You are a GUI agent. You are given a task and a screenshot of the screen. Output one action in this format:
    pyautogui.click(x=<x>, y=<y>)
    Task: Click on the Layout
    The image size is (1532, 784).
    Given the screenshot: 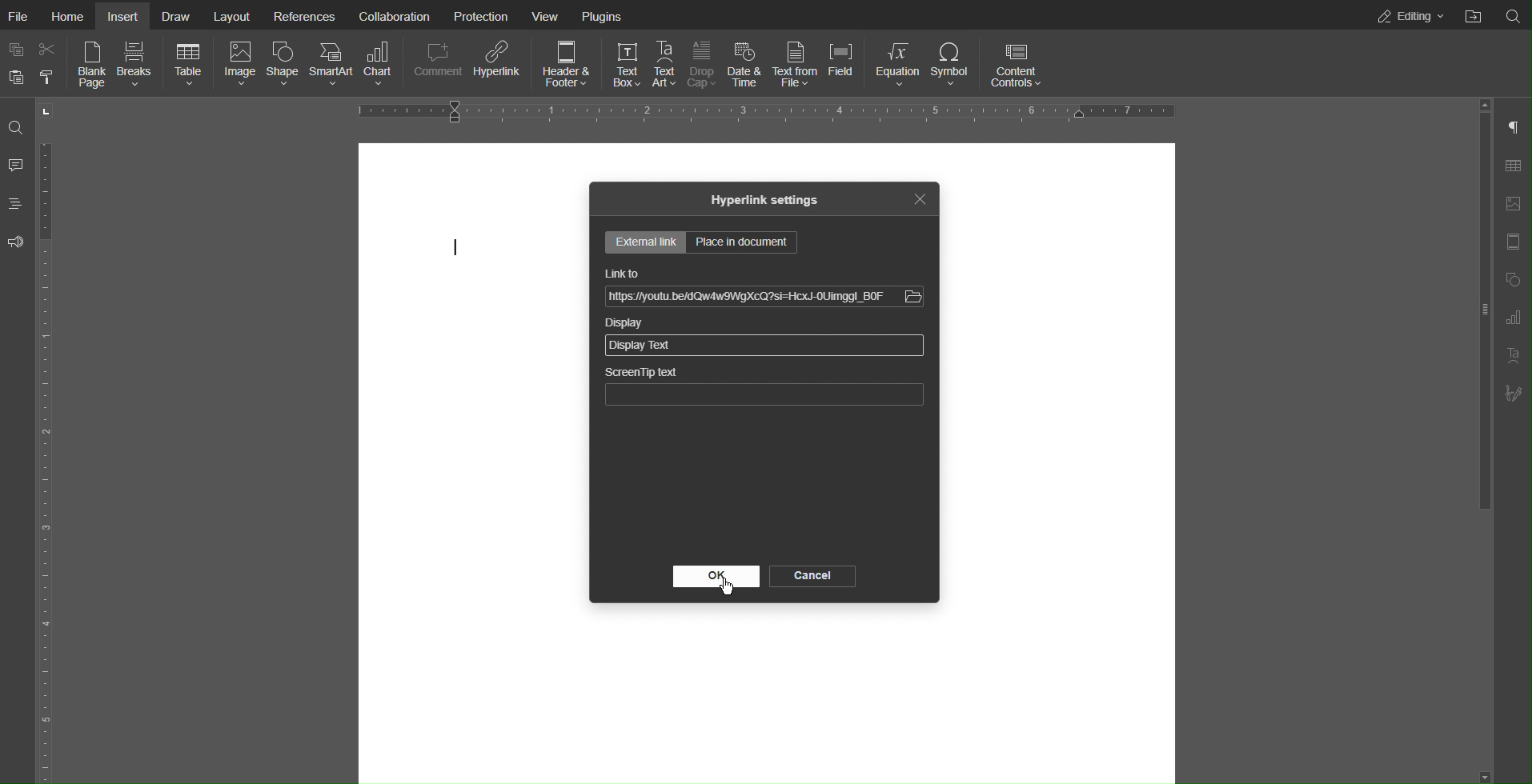 What is the action you would take?
    pyautogui.click(x=237, y=15)
    